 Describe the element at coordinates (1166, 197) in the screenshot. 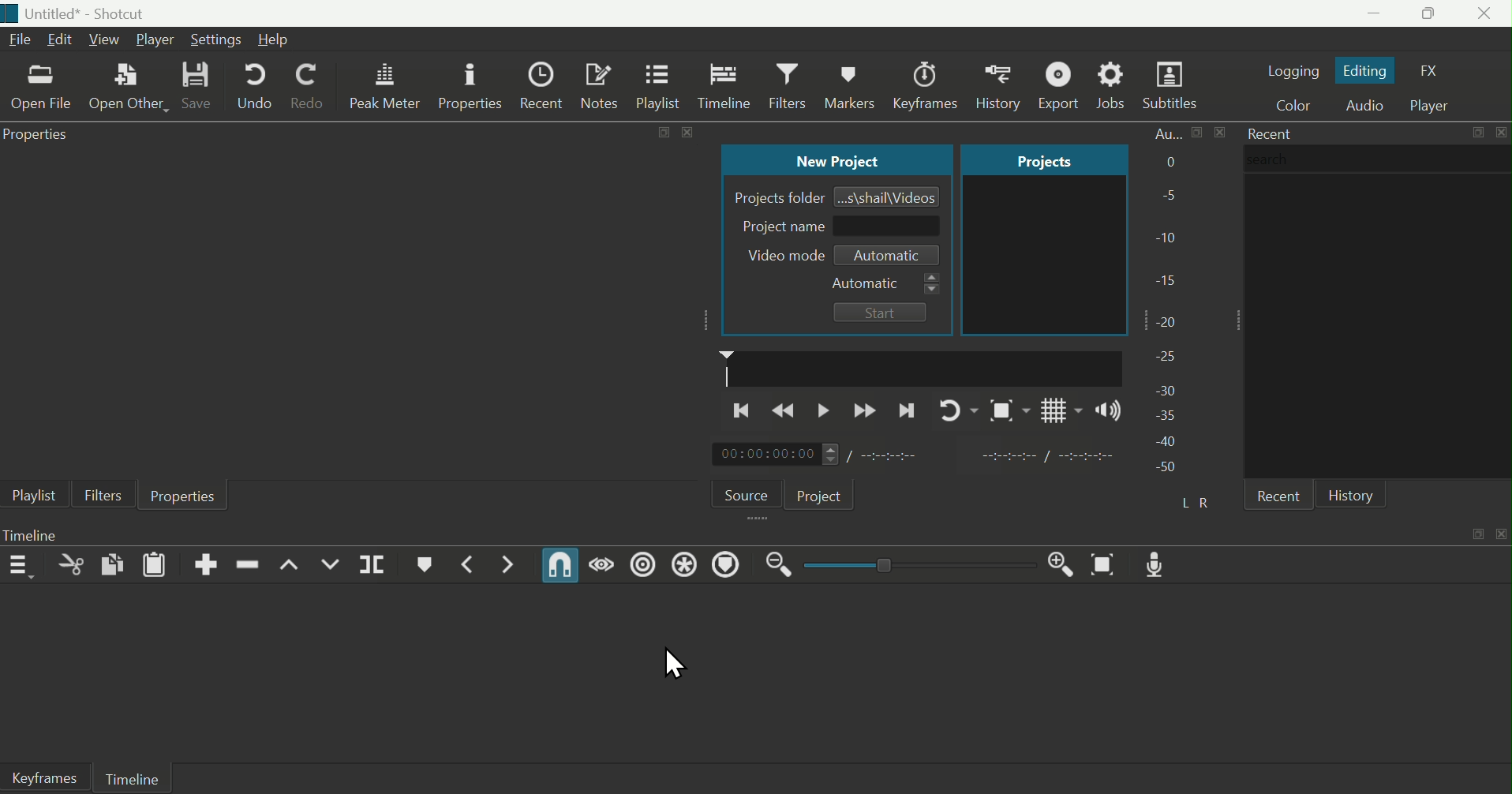

I see `-5` at that location.